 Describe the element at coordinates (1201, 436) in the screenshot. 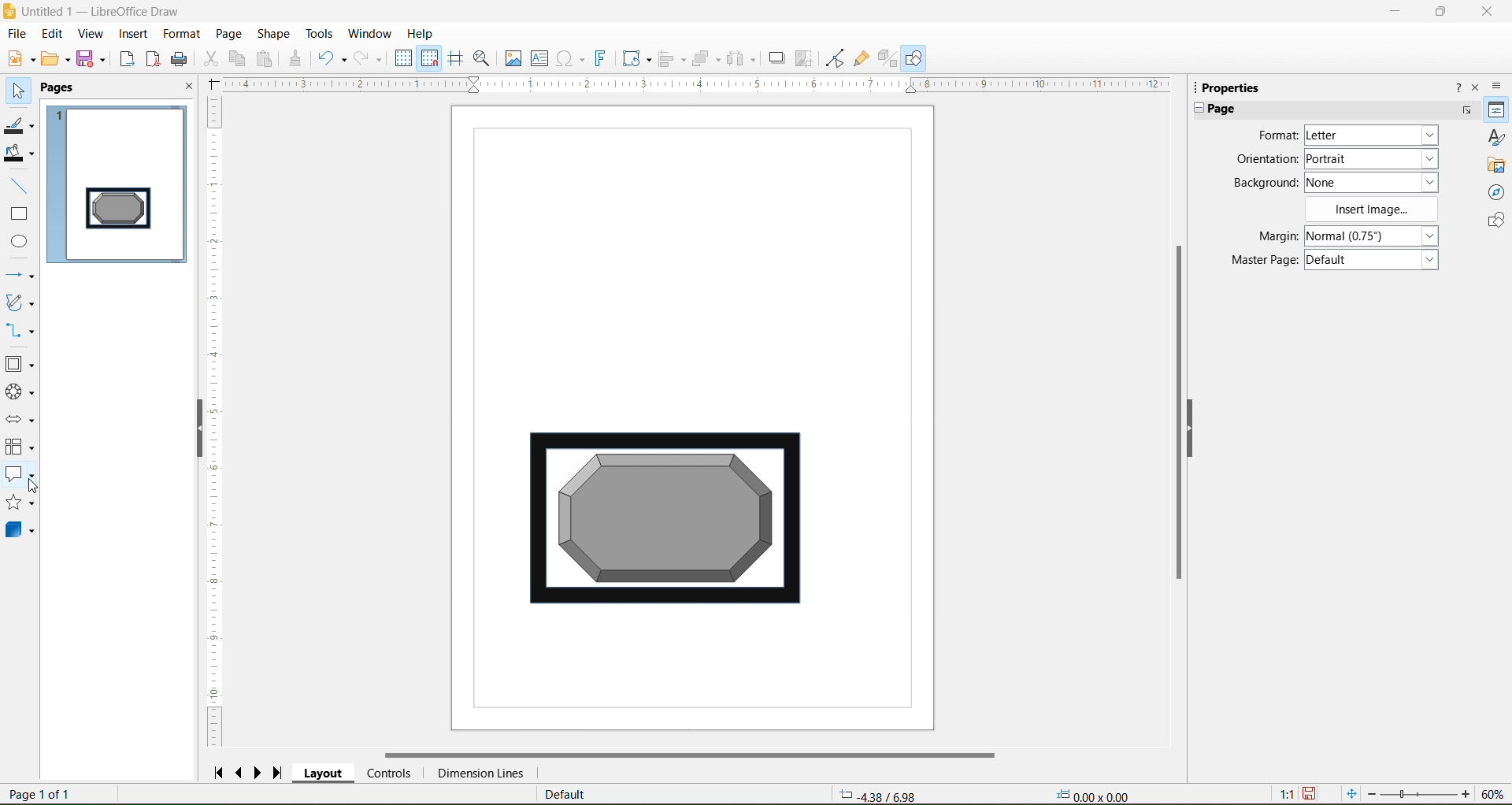

I see `Hide` at that location.